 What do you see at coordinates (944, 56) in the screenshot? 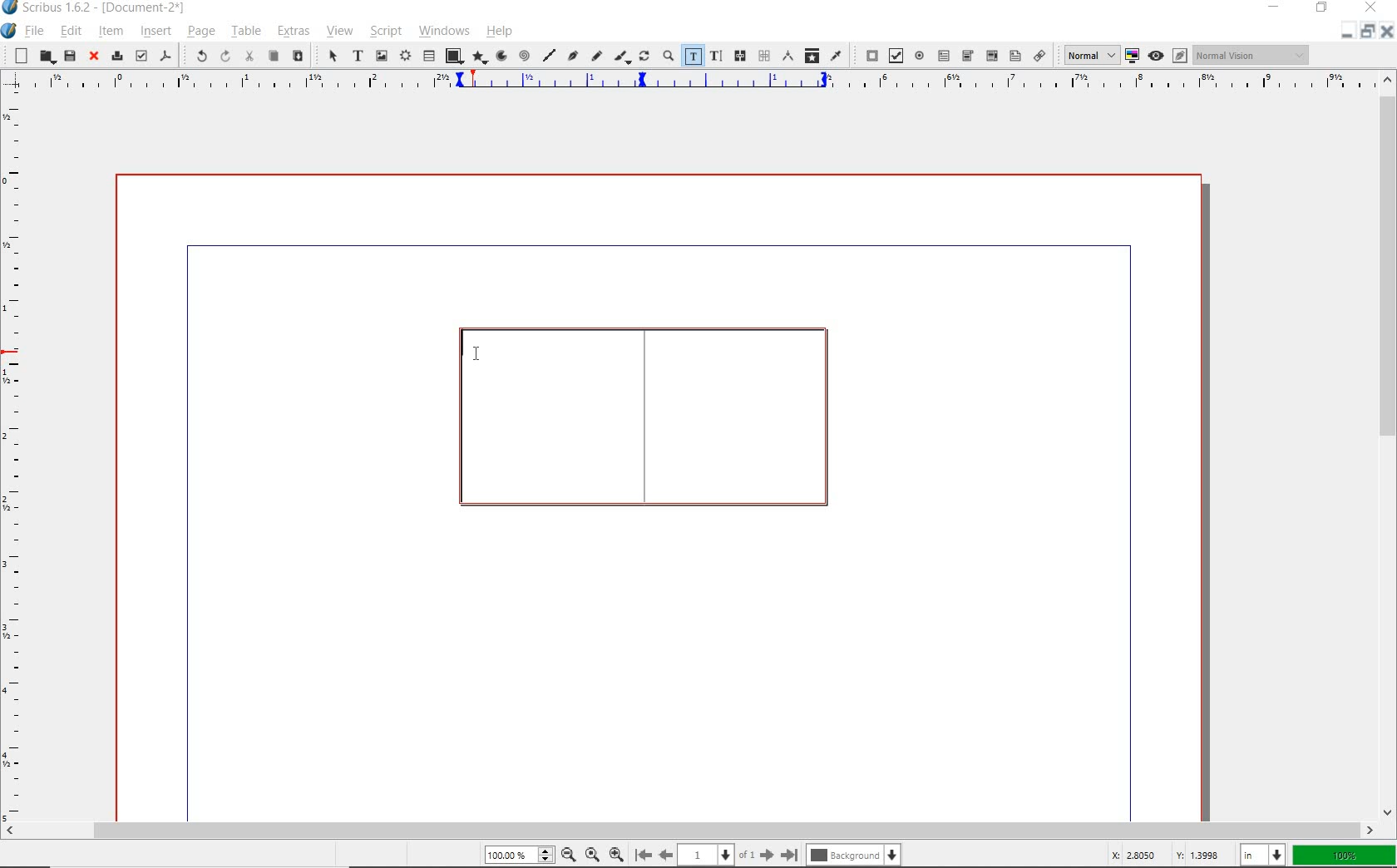
I see `pdf text field` at bounding box center [944, 56].